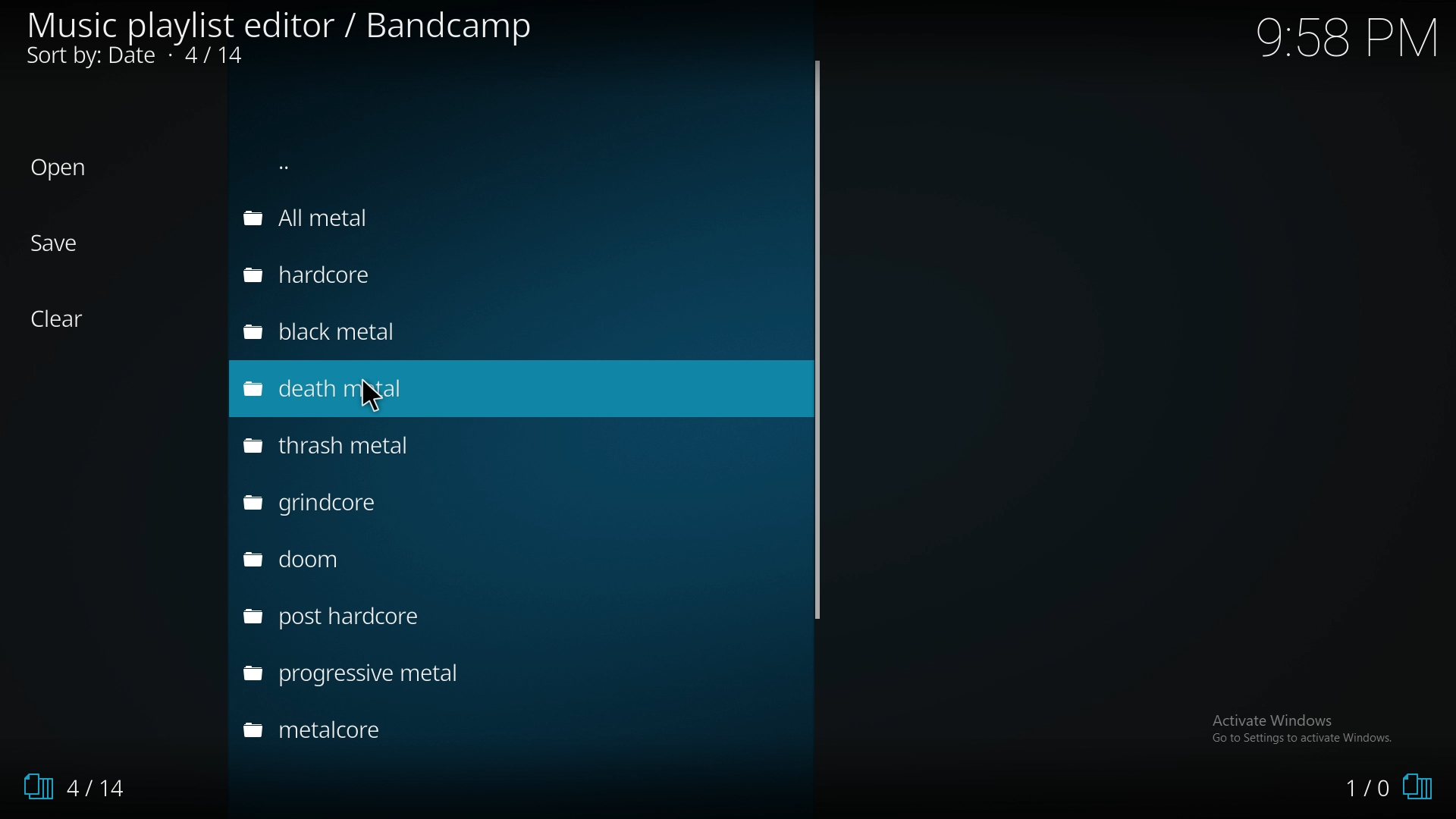  What do you see at coordinates (371, 733) in the screenshot?
I see `music genre` at bounding box center [371, 733].